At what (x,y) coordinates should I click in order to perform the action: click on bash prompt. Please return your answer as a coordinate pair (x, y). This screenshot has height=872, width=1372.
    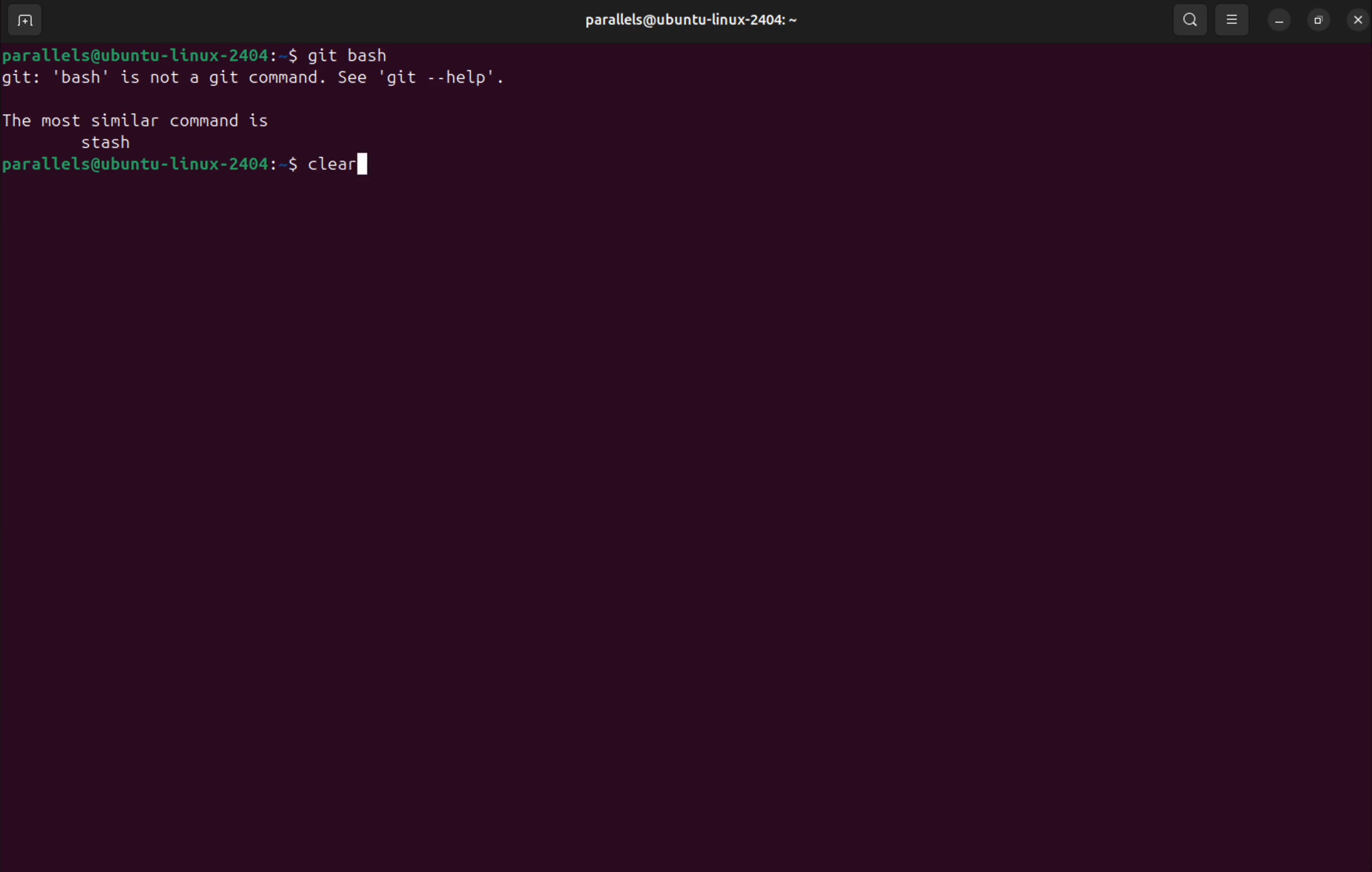
    Looking at the image, I should click on (139, 55).